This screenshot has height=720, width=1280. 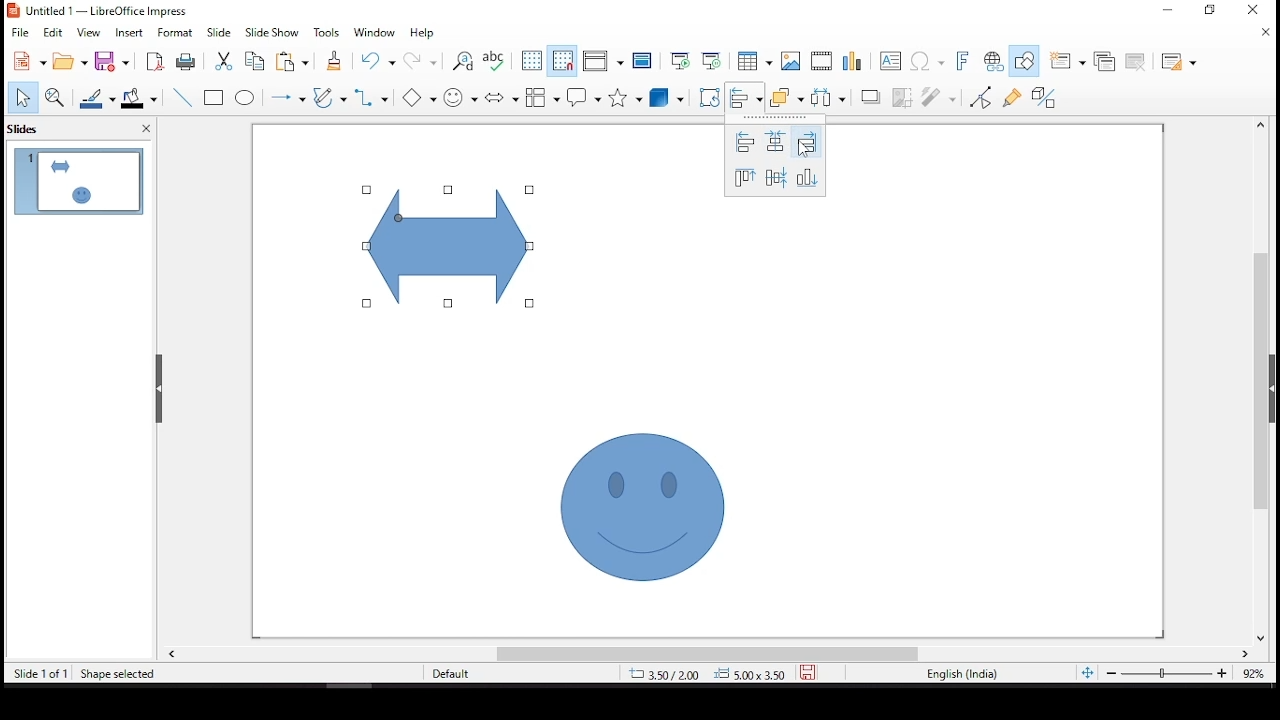 I want to click on zoom slider, so click(x=1167, y=673).